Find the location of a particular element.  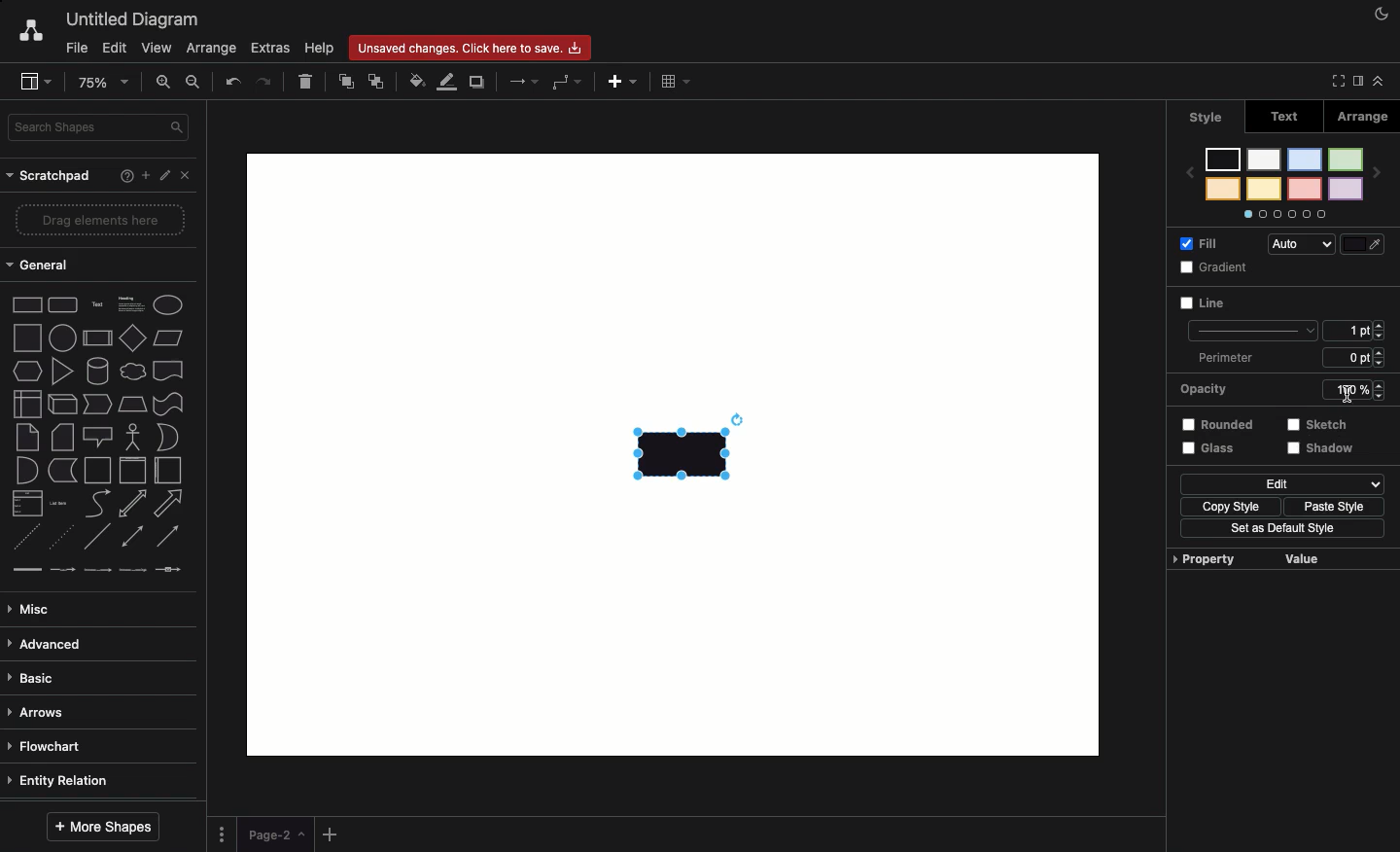

diamond is located at coordinates (131, 339).